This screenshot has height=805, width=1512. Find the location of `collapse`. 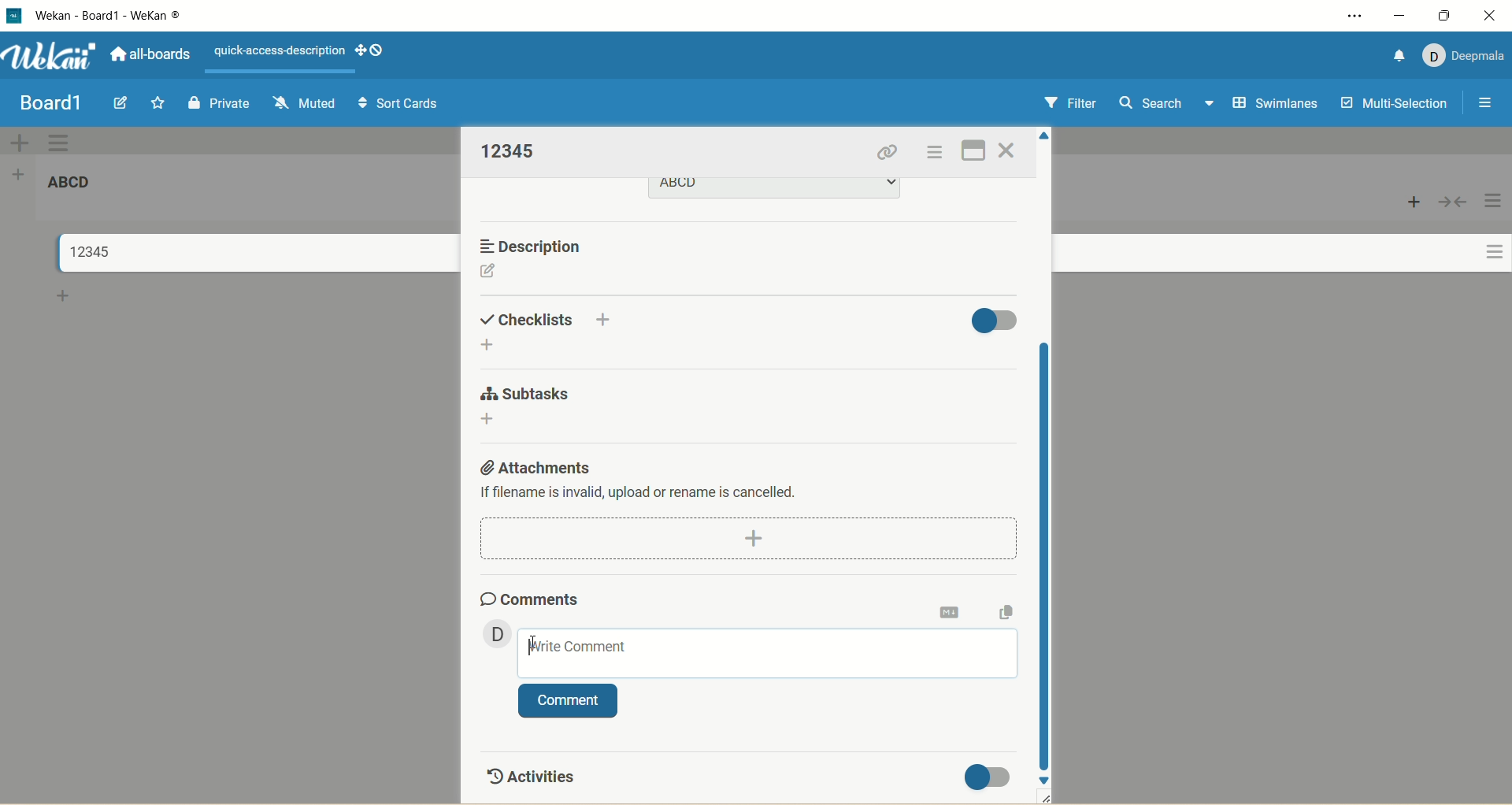

collapse is located at coordinates (1451, 202).